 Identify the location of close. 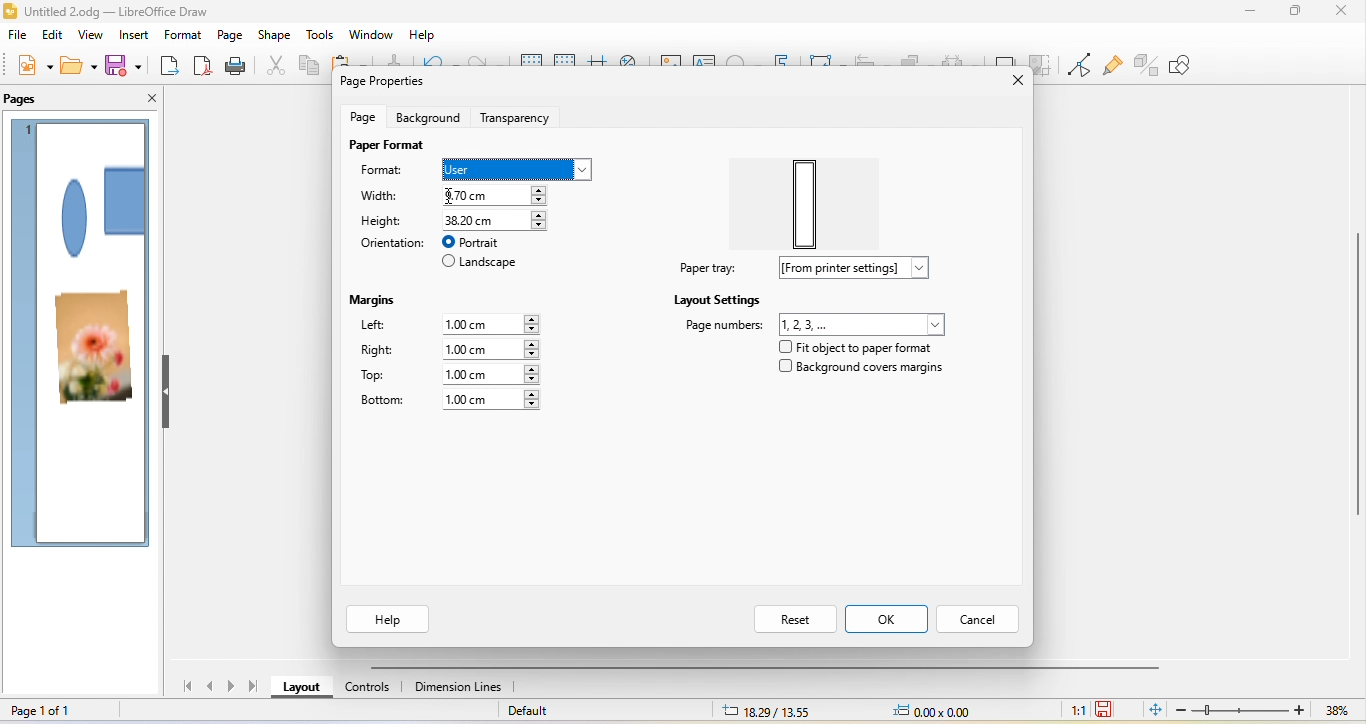
(1013, 82).